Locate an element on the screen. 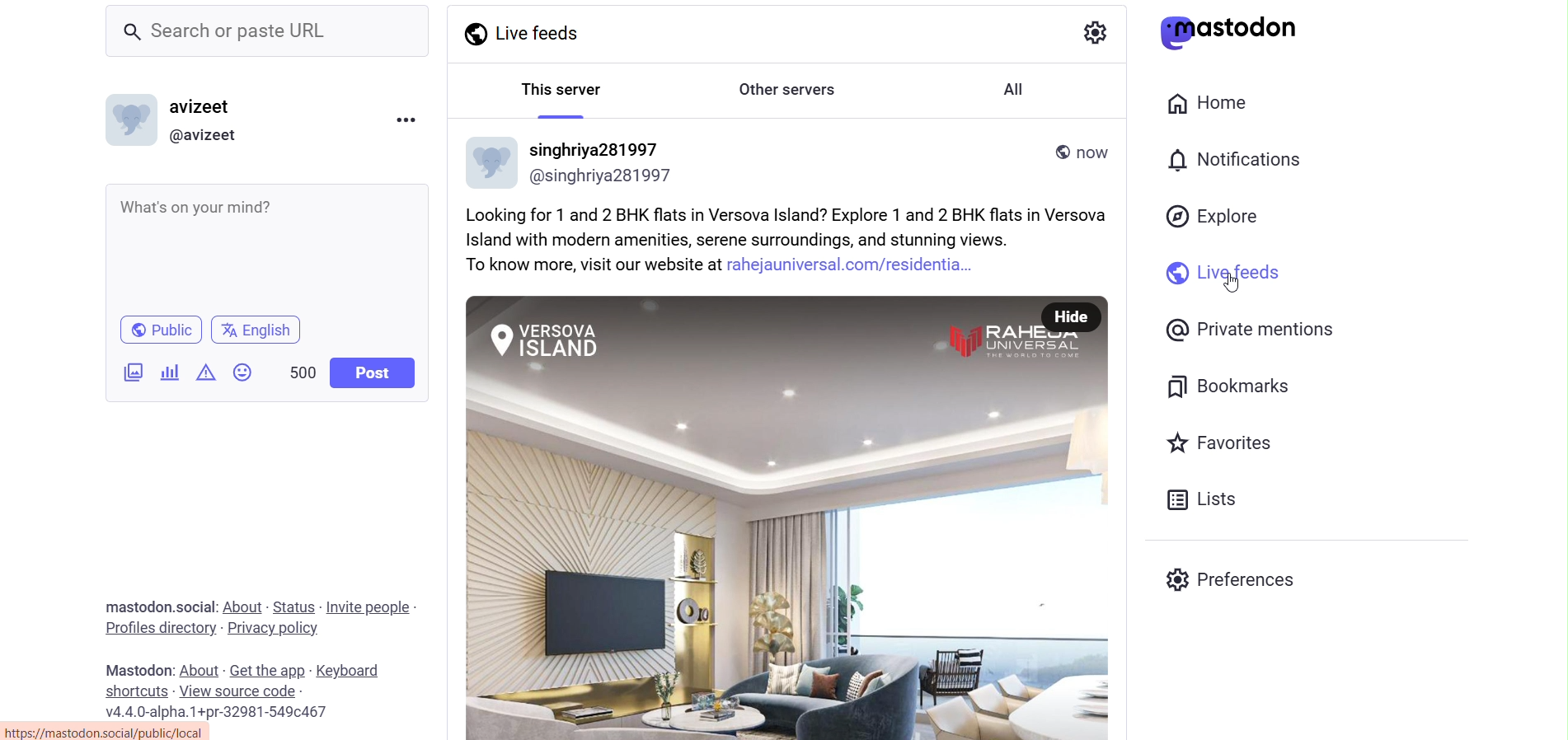  about is located at coordinates (241, 606).